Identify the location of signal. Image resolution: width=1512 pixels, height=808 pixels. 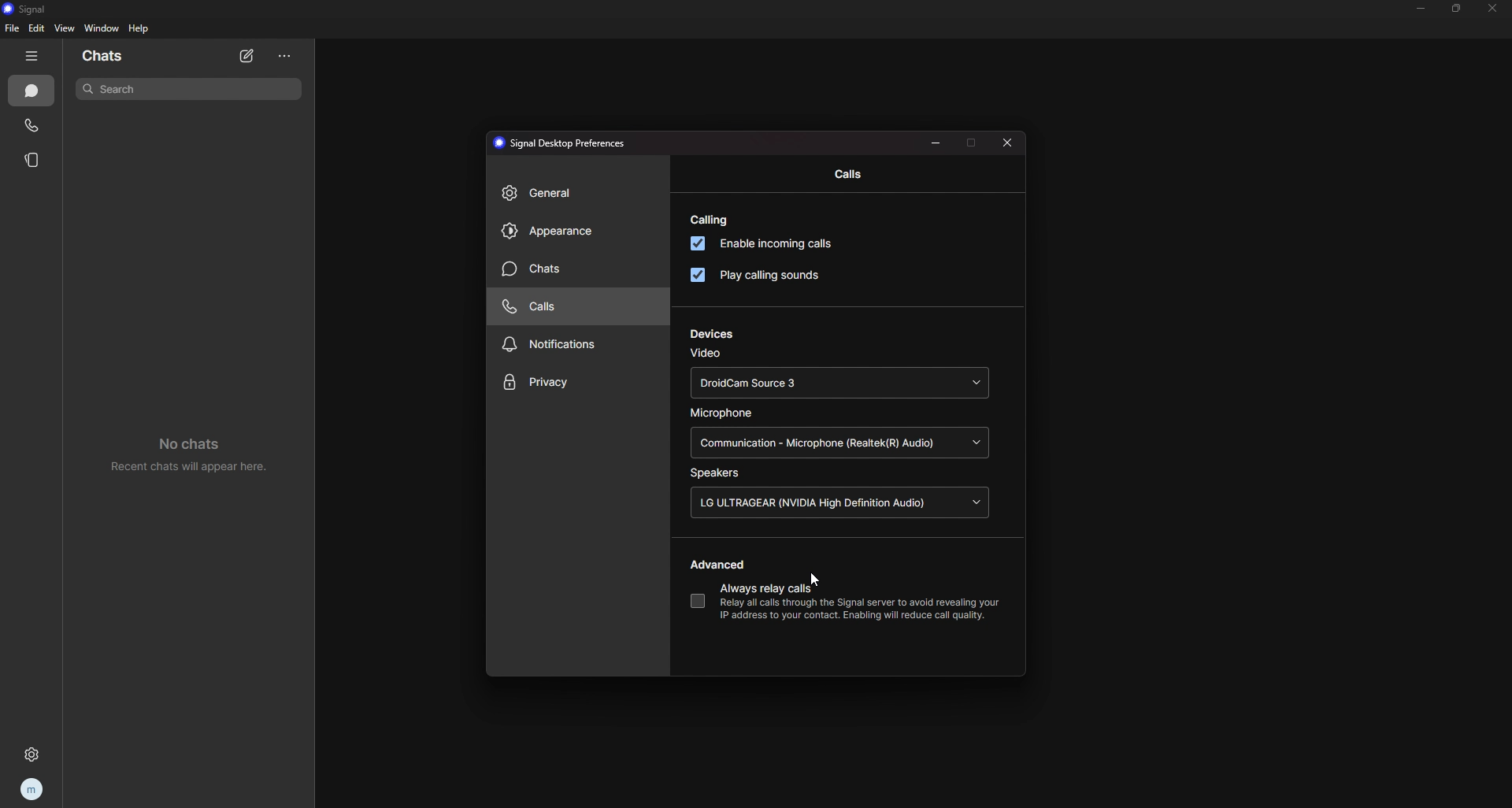
(31, 9).